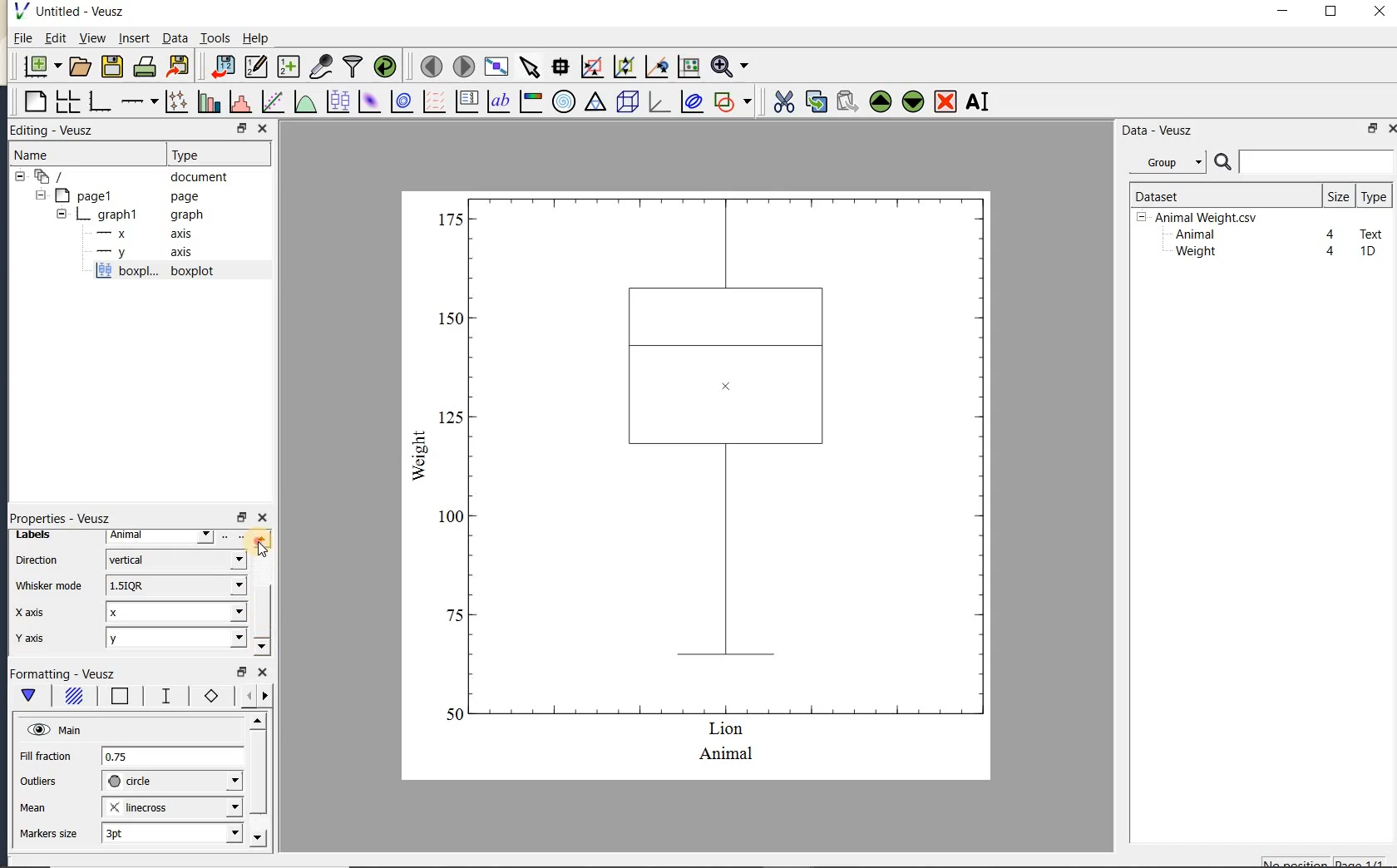  Describe the element at coordinates (1331, 12) in the screenshot. I see `maximize` at that location.